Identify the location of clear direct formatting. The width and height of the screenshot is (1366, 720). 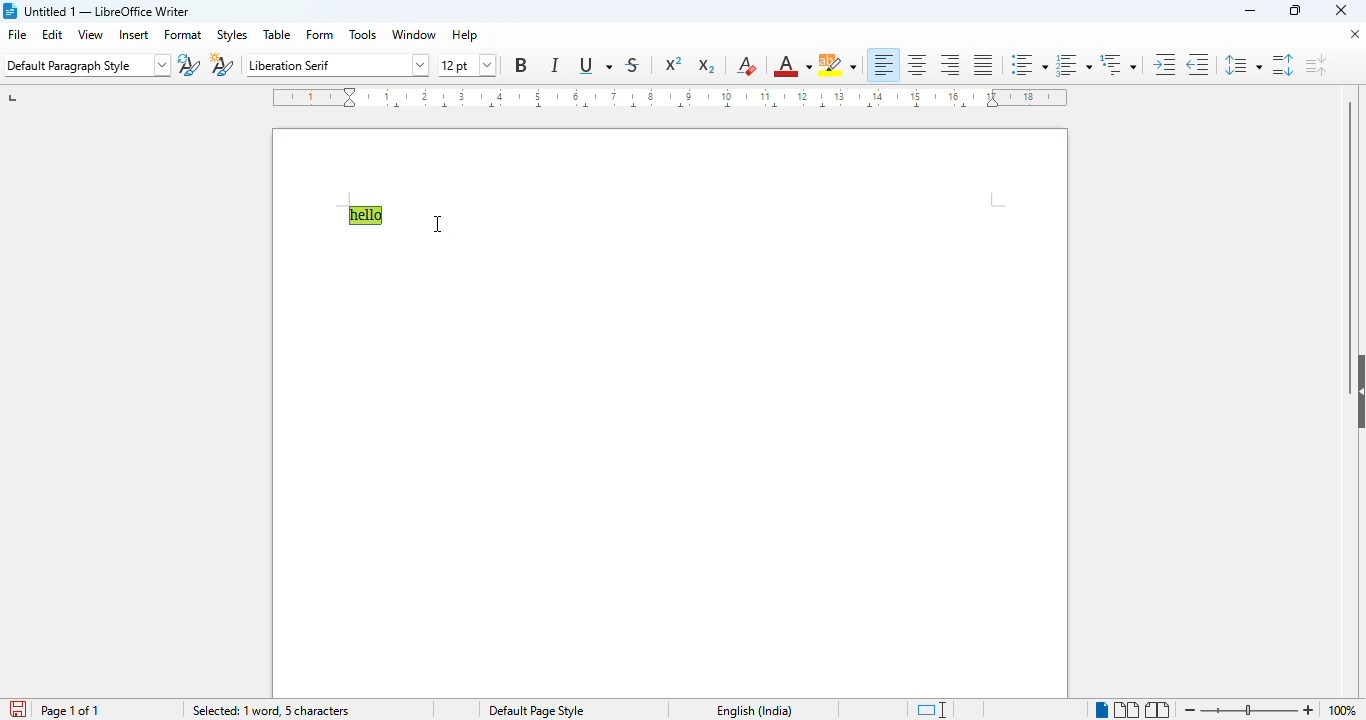
(747, 65).